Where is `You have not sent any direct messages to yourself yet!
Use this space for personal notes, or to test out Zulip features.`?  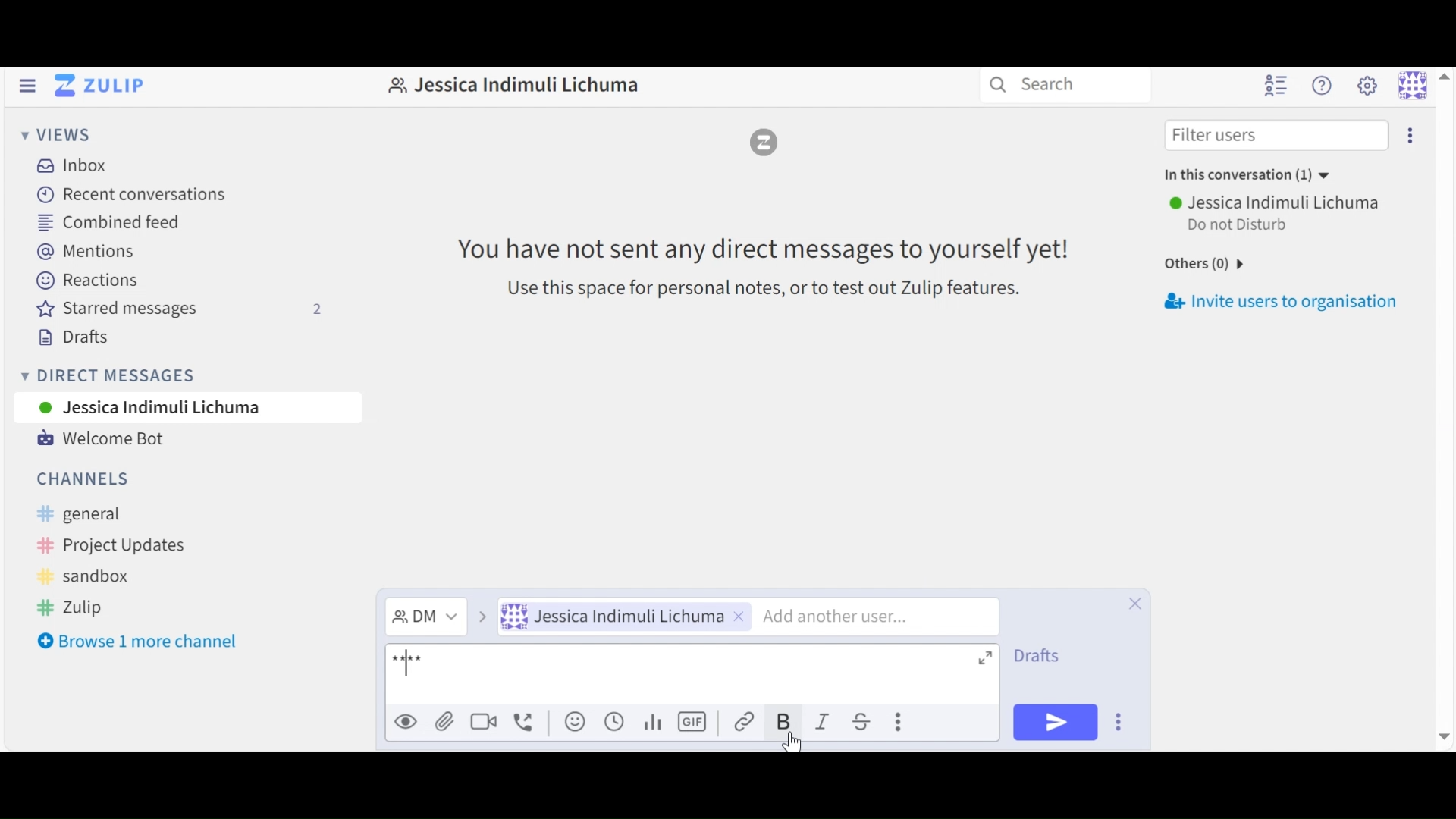
You have not sent any direct messages to yourself yet!
Use this space for personal notes, or to test out Zulip features. is located at coordinates (755, 265).